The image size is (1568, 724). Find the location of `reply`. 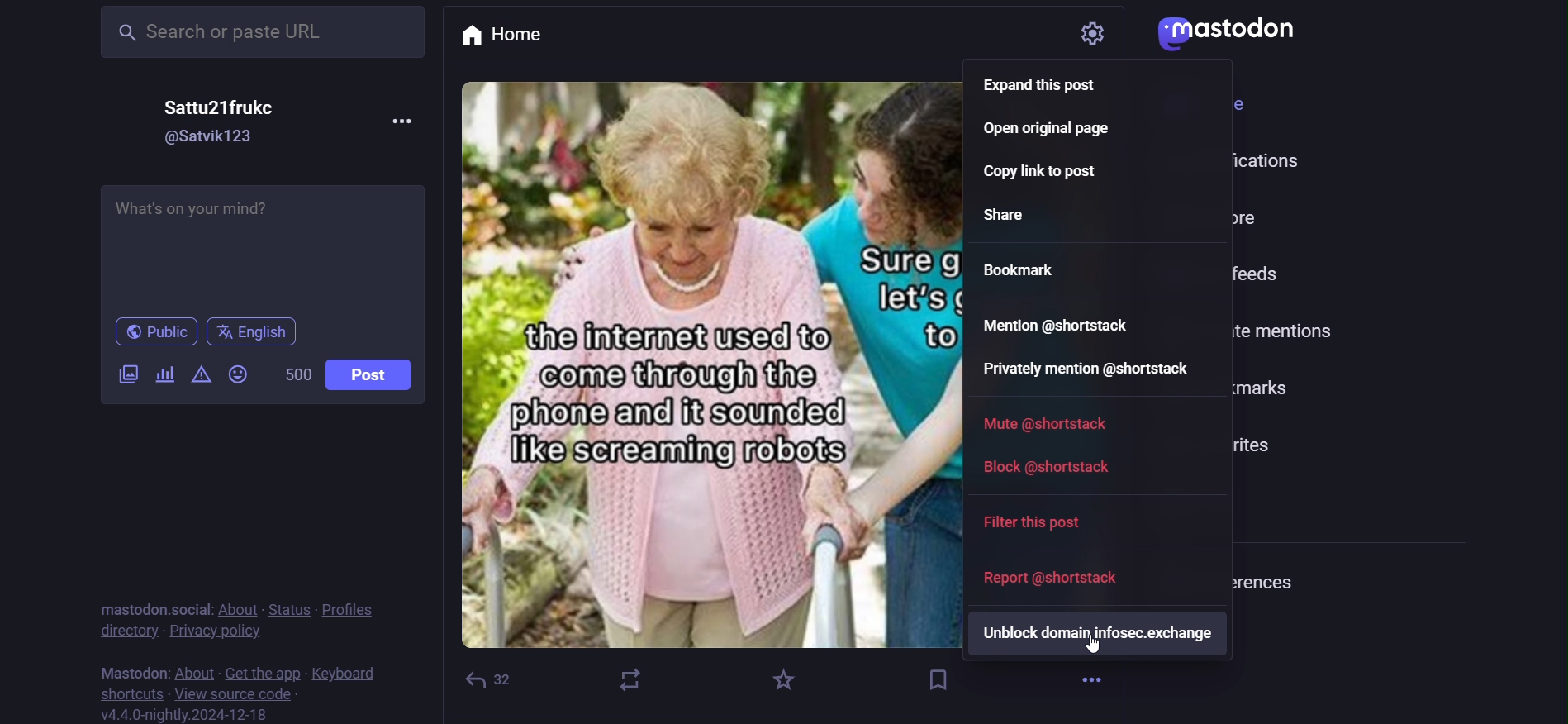

reply is located at coordinates (485, 676).